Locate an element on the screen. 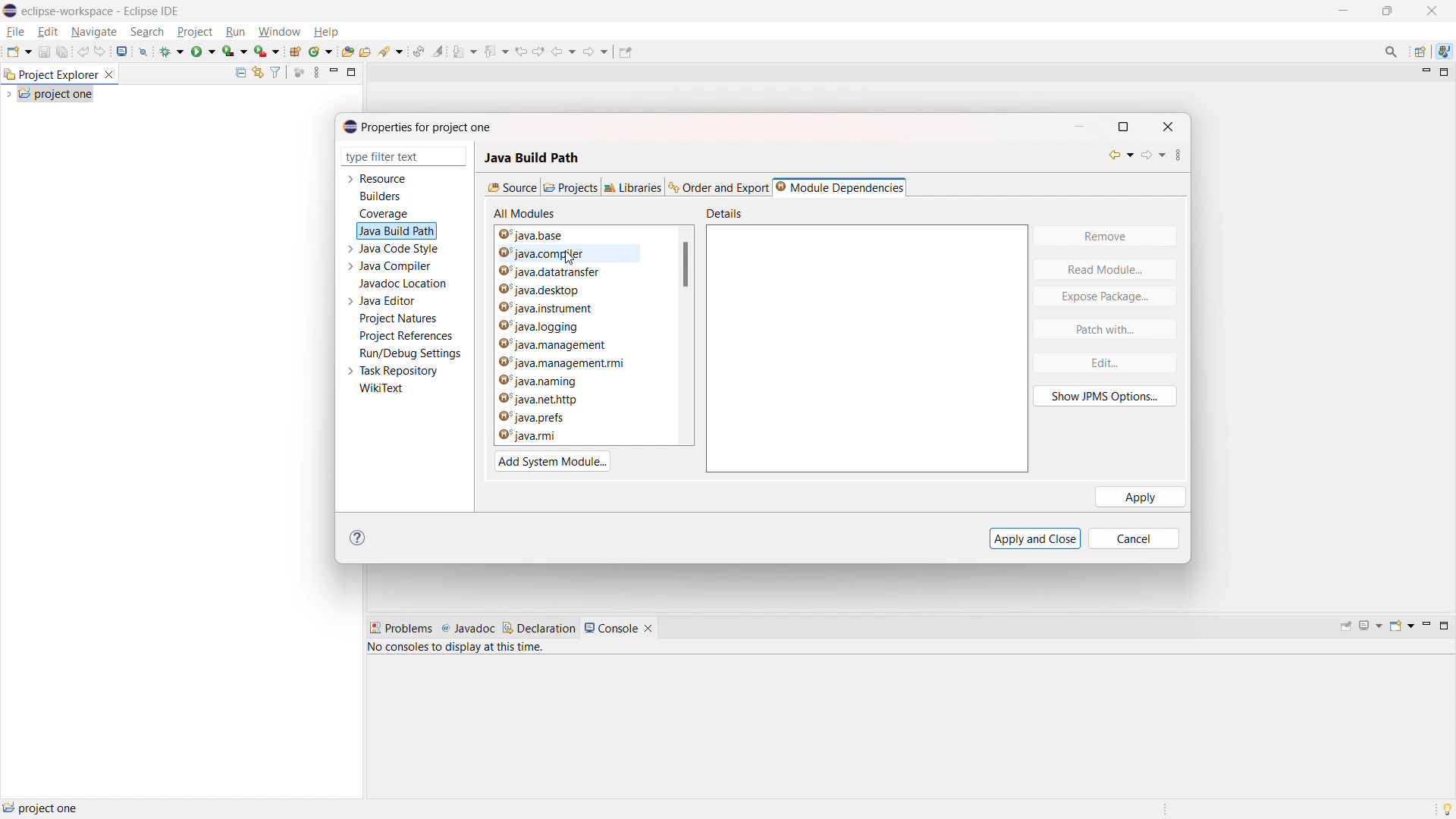 The height and width of the screenshot is (819, 1456). project is located at coordinates (195, 32).